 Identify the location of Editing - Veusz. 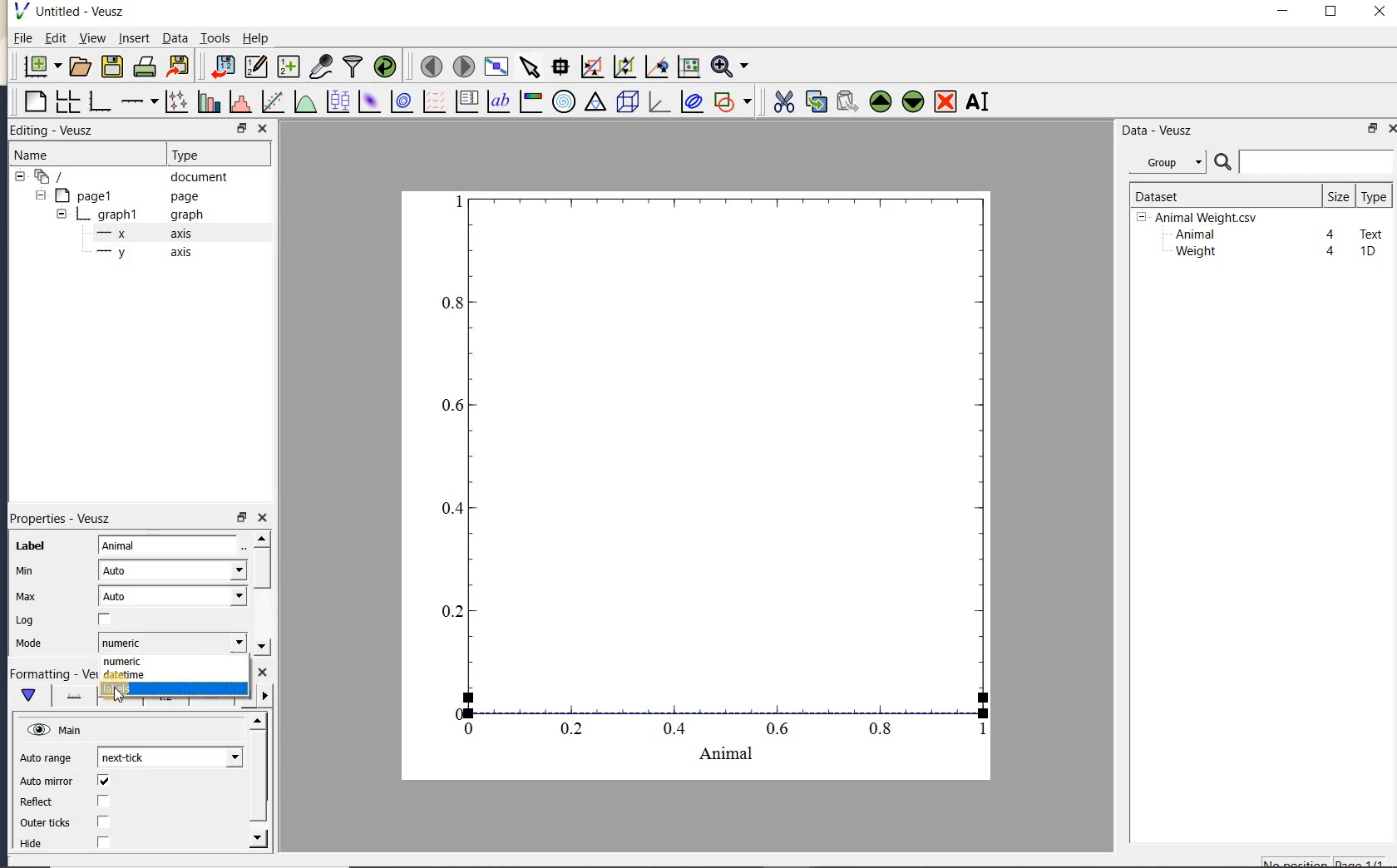
(61, 131).